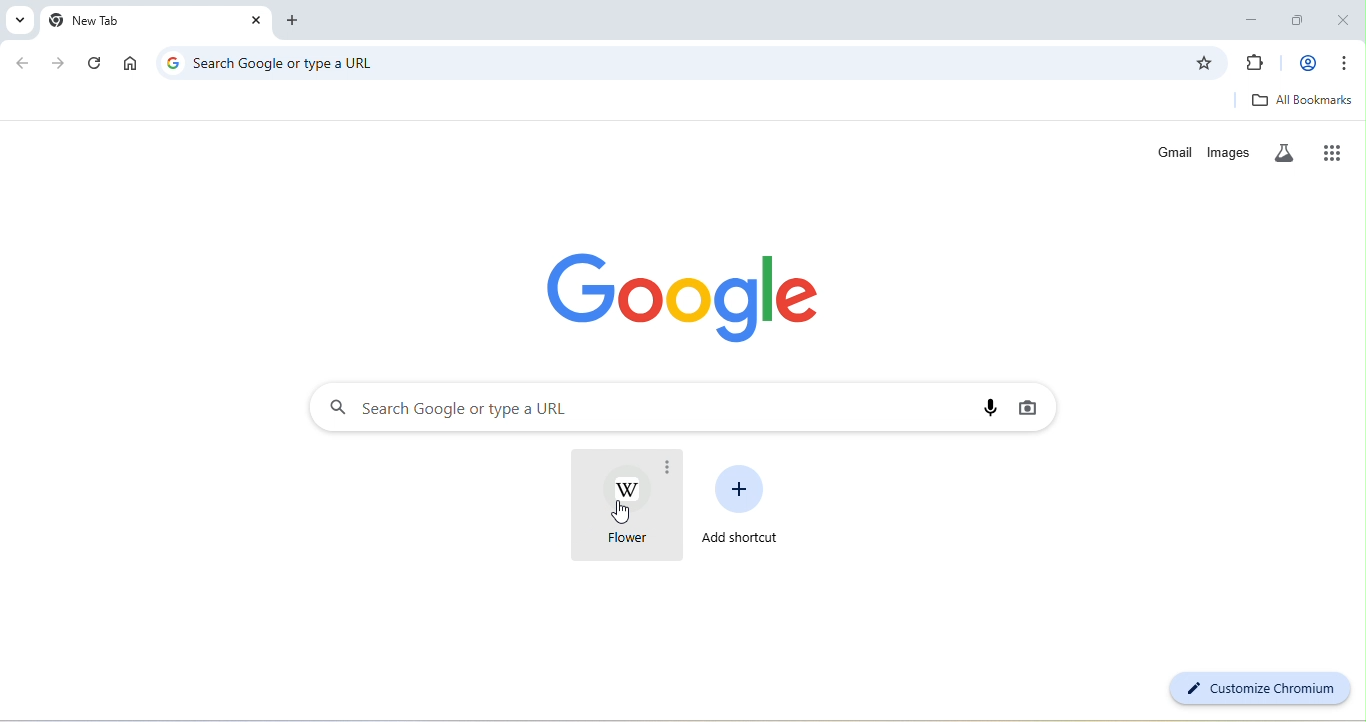 This screenshot has width=1366, height=722. Describe the element at coordinates (1348, 63) in the screenshot. I see `customized and control google chrome` at that location.